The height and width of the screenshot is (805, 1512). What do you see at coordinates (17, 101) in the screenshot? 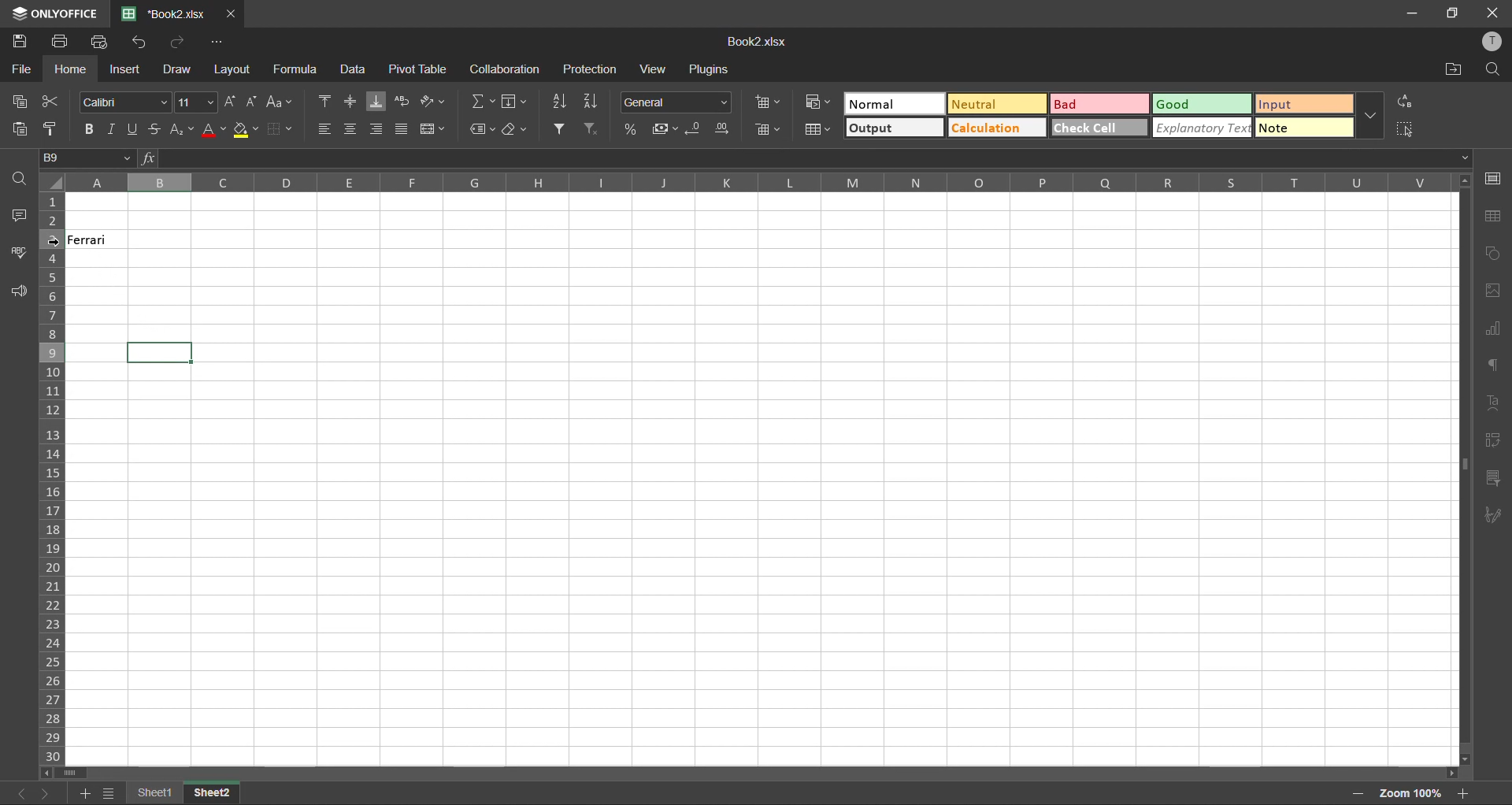
I see `copy` at bounding box center [17, 101].